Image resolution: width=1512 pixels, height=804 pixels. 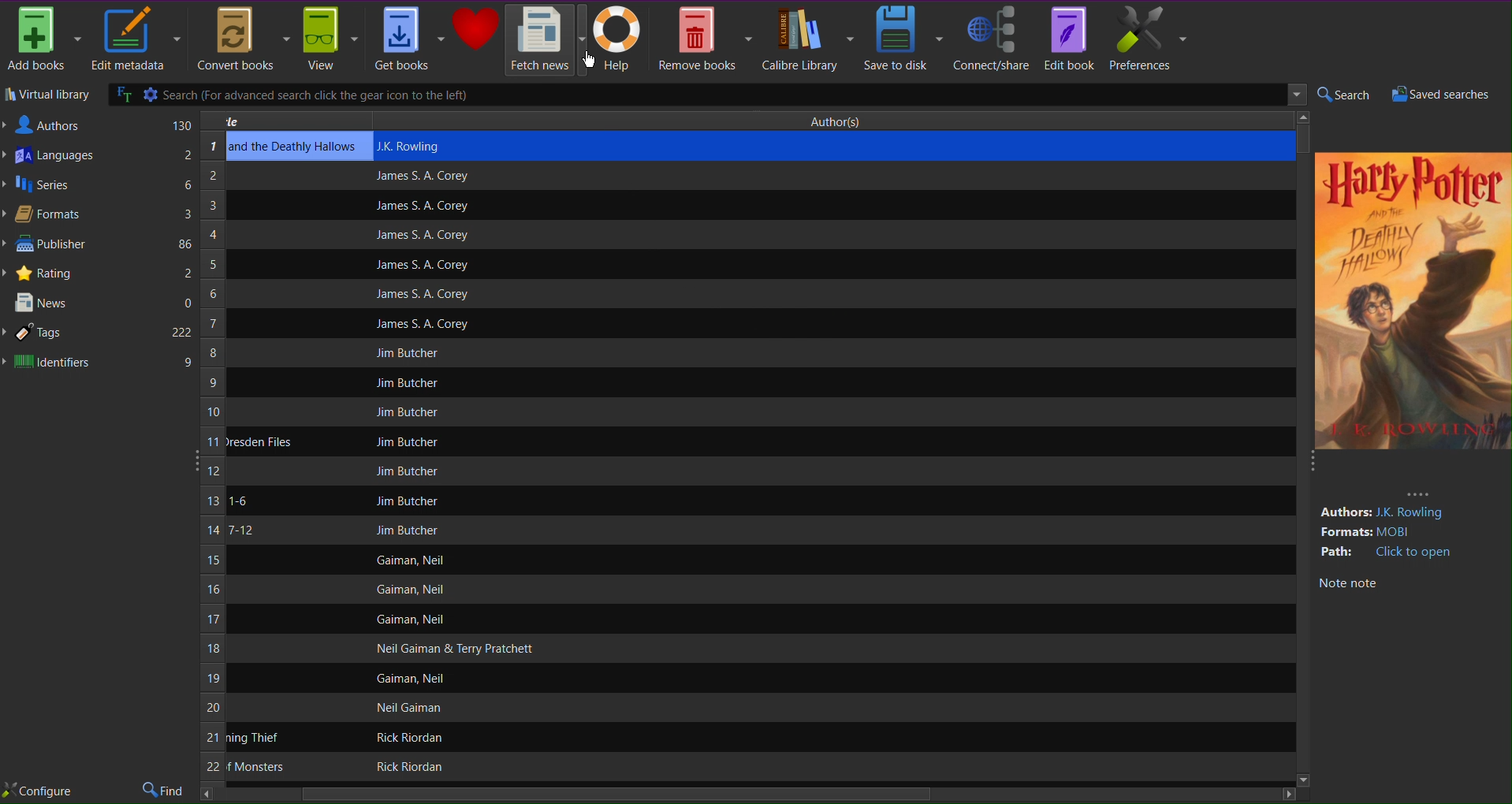 I want to click on Rick Riordan, so click(x=407, y=767).